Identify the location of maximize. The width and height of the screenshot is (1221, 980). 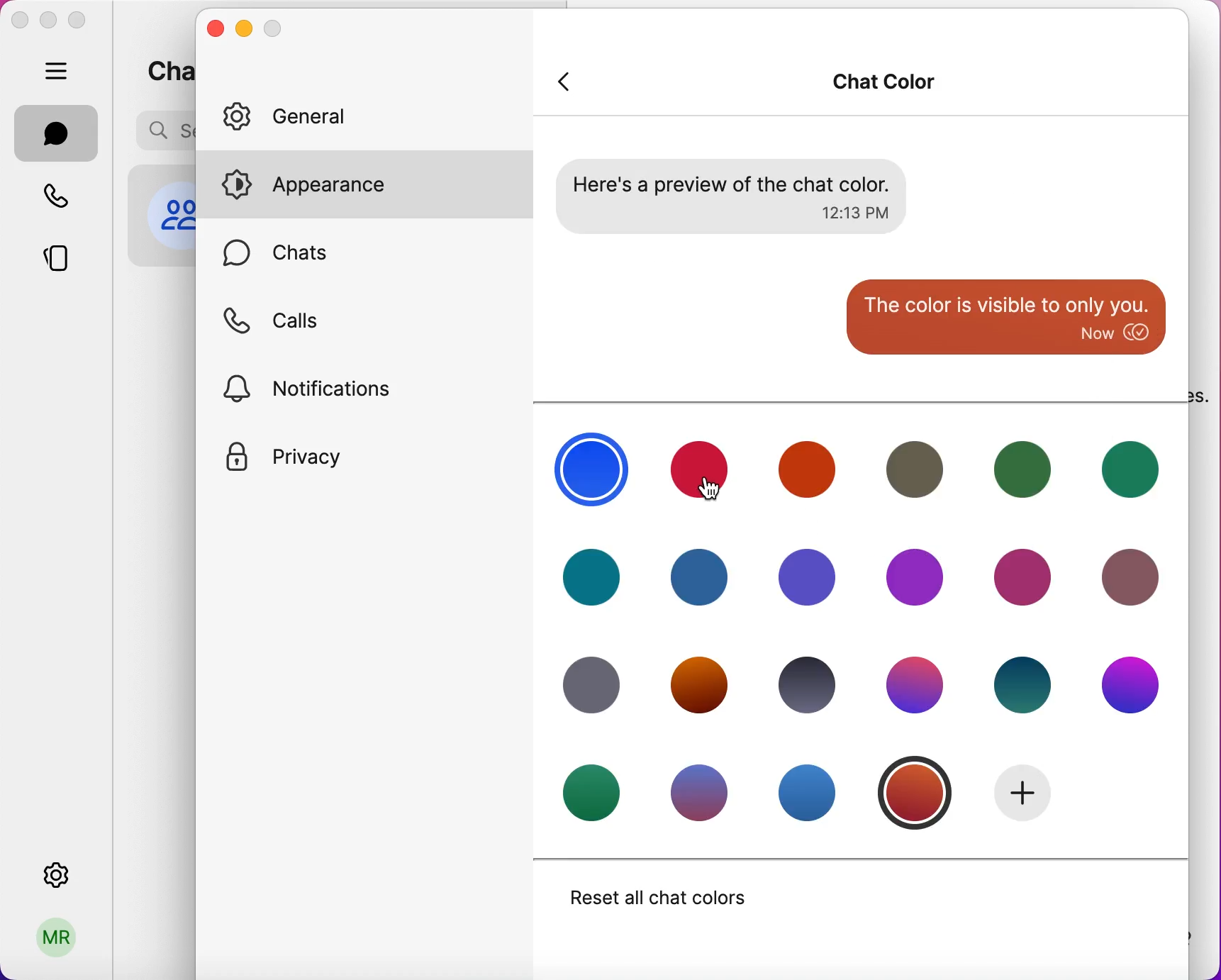
(82, 21).